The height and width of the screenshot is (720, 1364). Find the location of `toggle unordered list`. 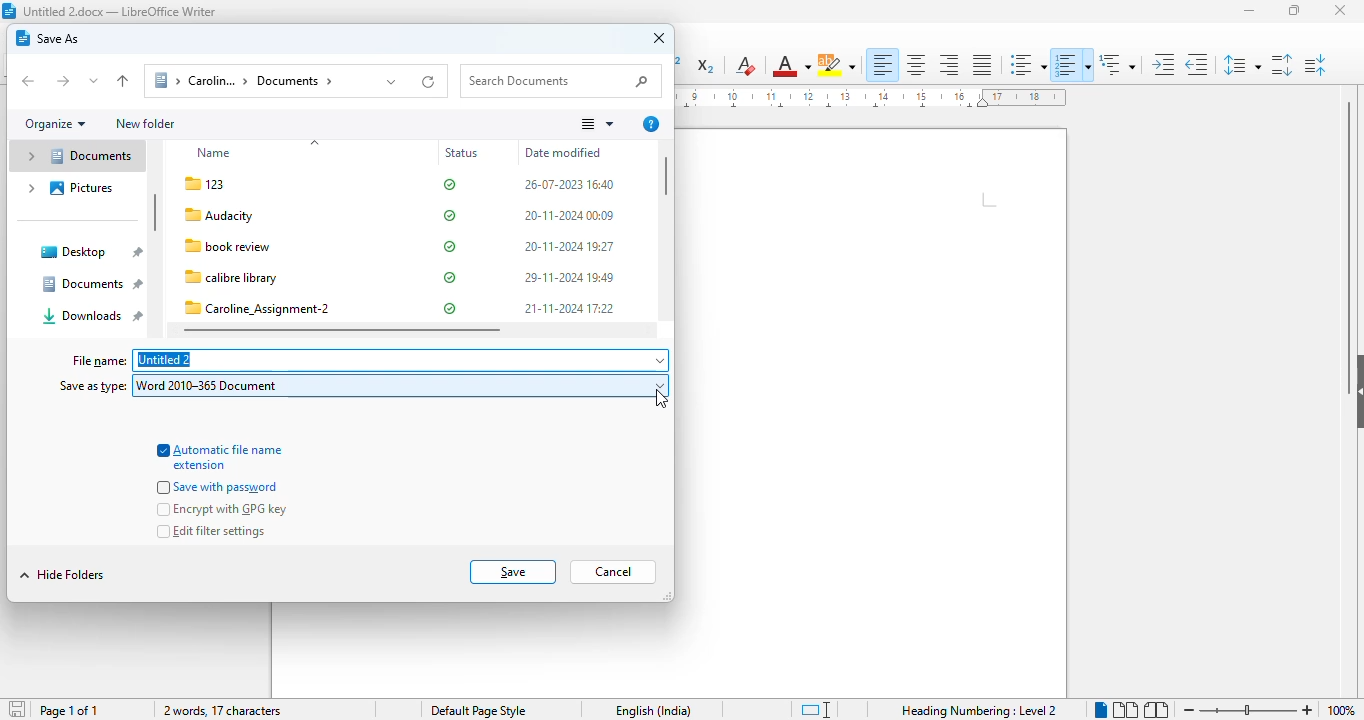

toggle unordered list is located at coordinates (1026, 65).